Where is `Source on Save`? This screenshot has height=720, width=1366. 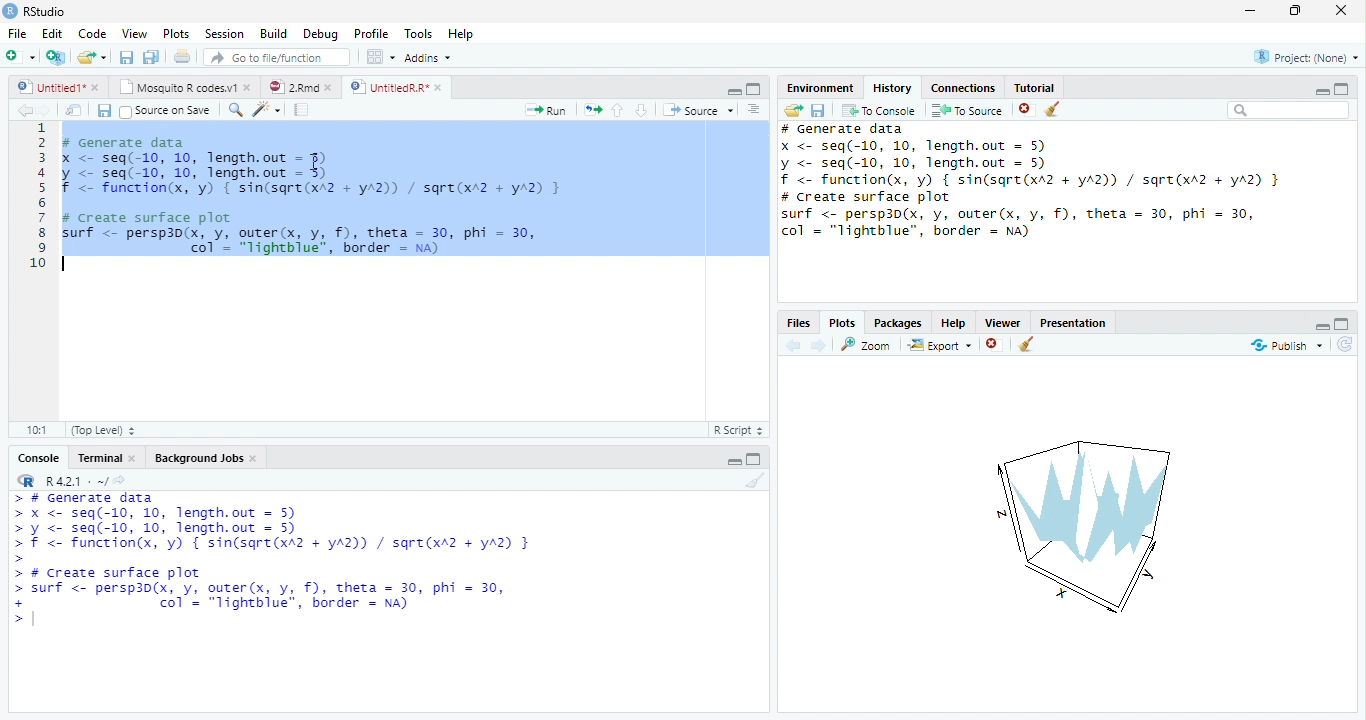 Source on Save is located at coordinates (167, 110).